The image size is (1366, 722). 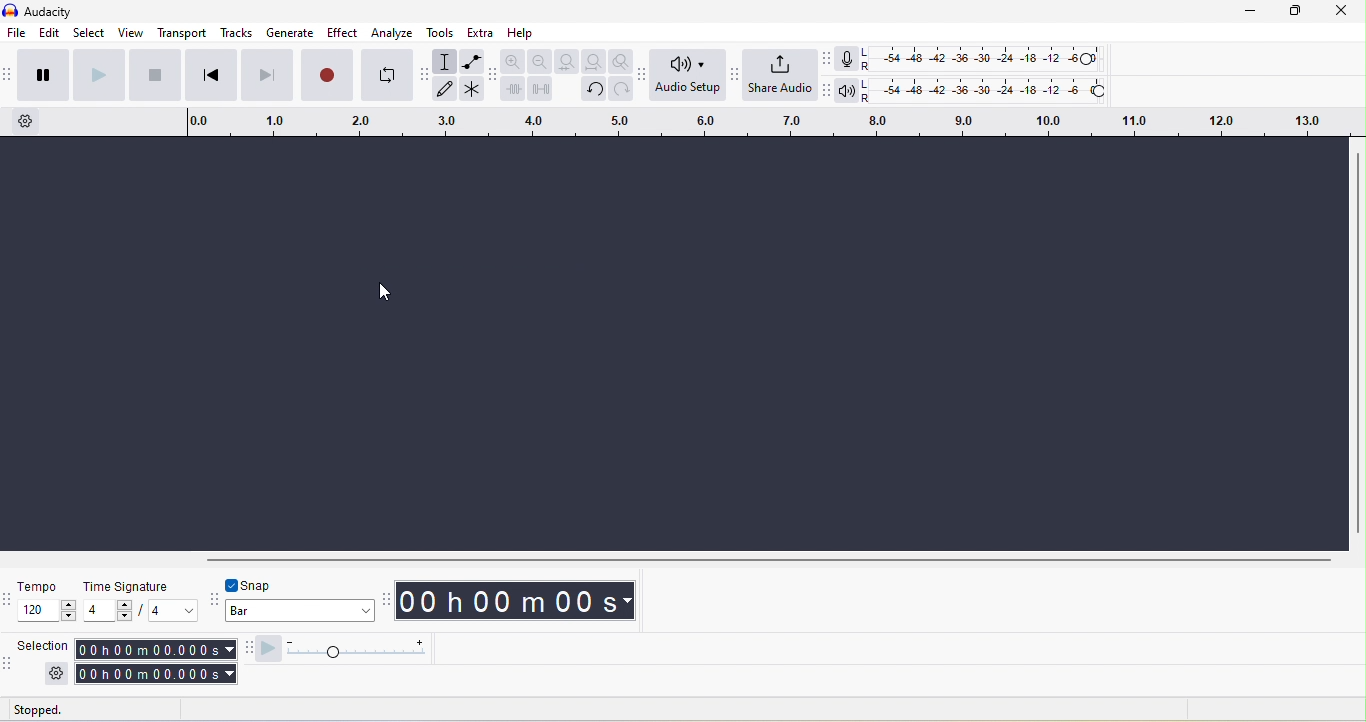 What do you see at coordinates (444, 88) in the screenshot?
I see `draw tool` at bounding box center [444, 88].